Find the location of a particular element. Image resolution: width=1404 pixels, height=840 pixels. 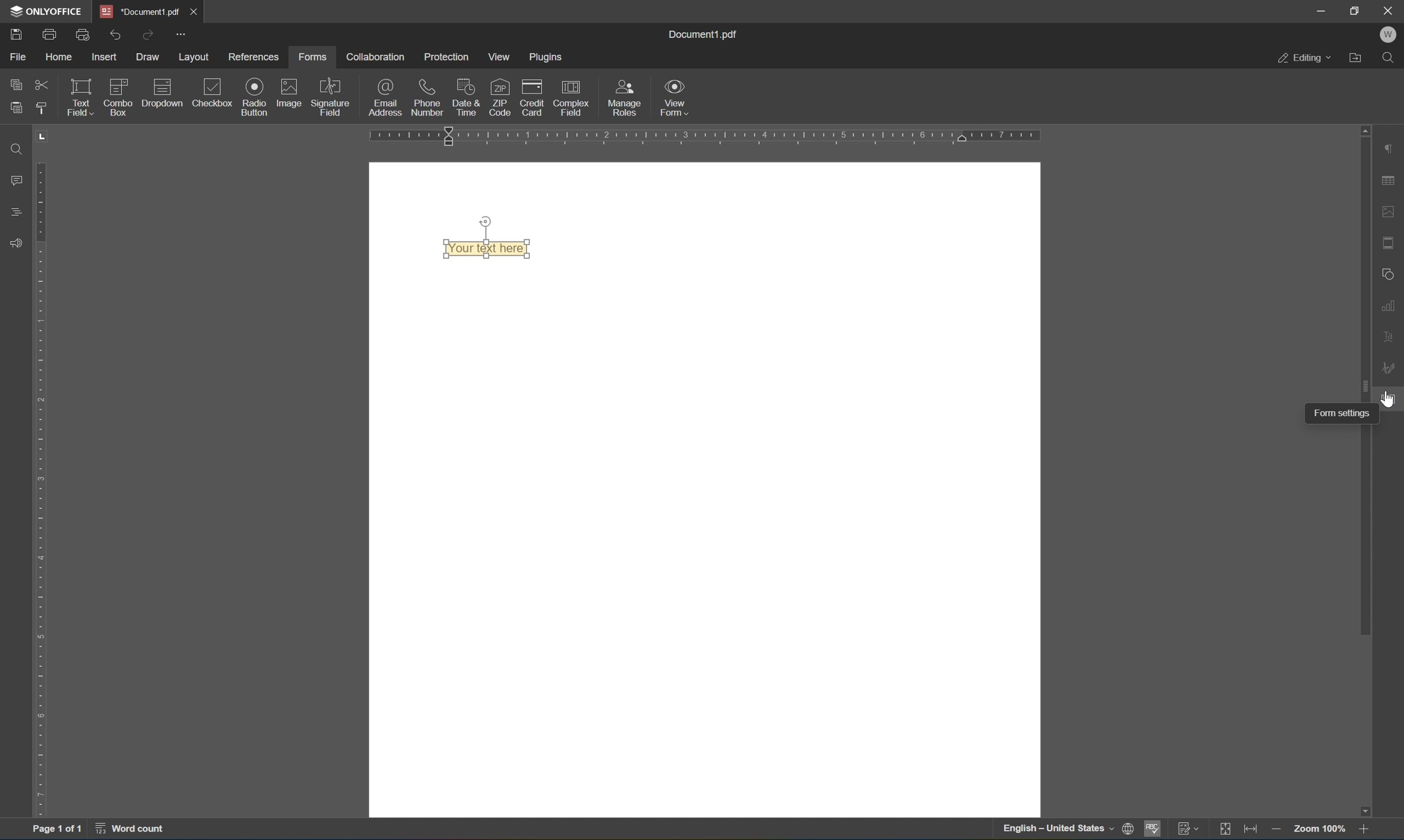

copy style is located at coordinates (40, 108).